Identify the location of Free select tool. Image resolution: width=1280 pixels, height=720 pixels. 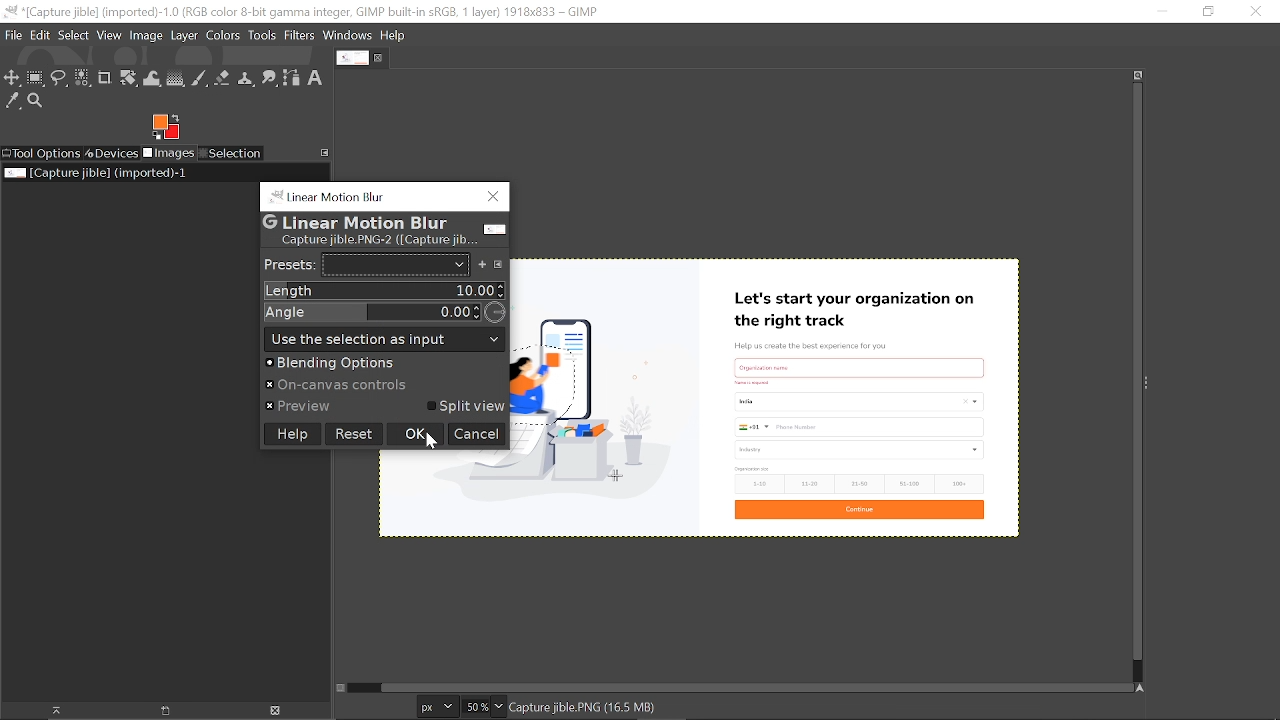
(58, 78).